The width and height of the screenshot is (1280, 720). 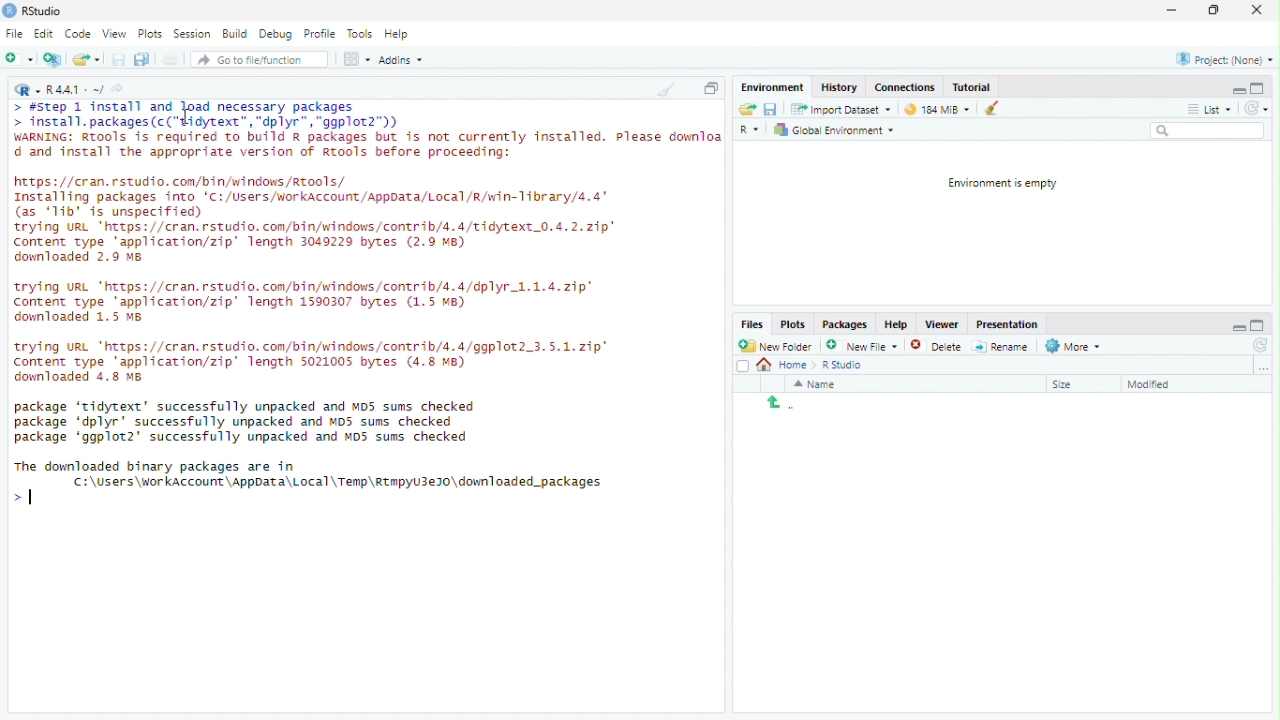 What do you see at coordinates (53, 59) in the screenshot?
I see `Create new project` at bounding box center [53, 59].